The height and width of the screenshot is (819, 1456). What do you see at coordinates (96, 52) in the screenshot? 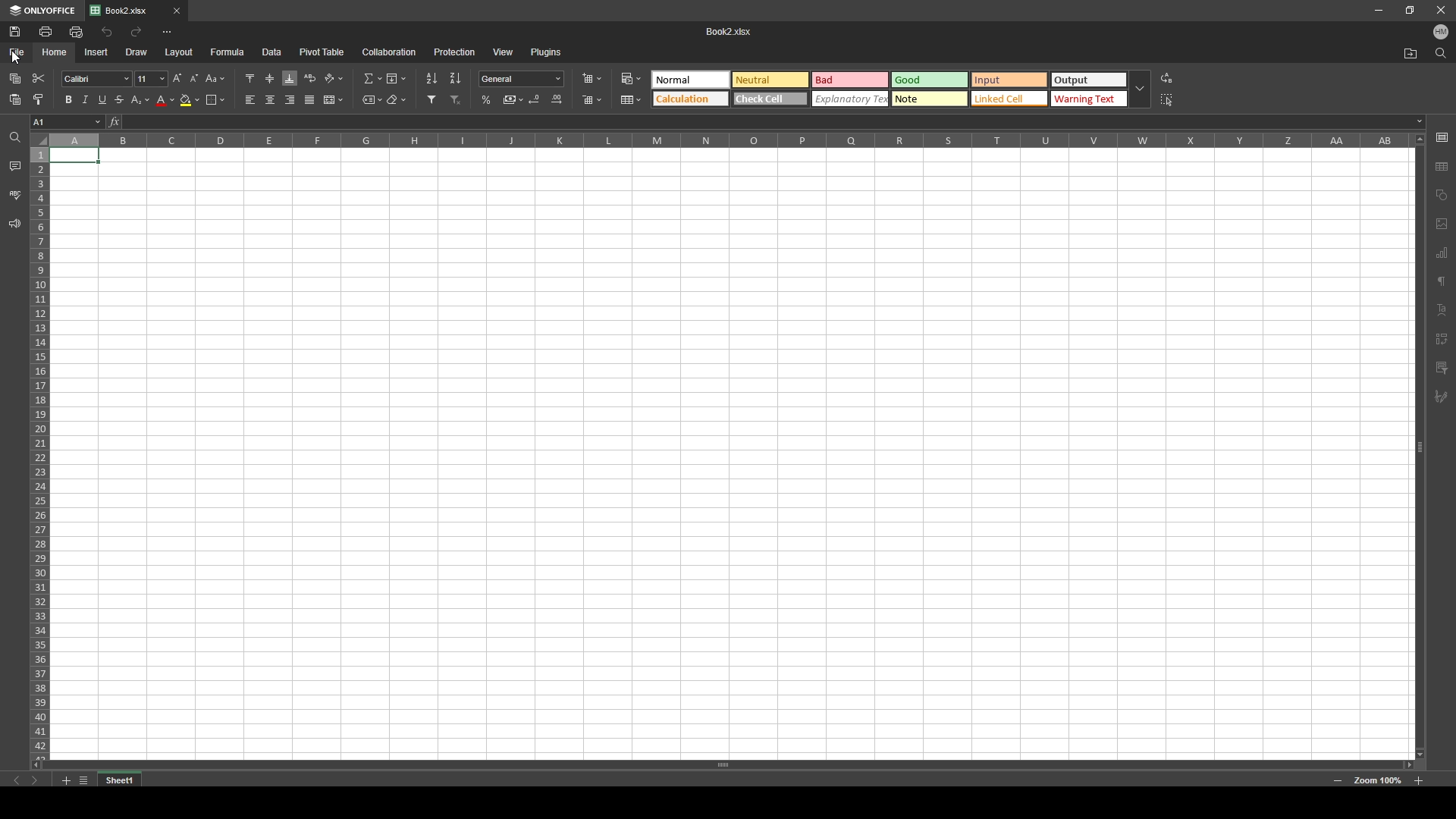
I see `insert` at bounding box center [96, 52].